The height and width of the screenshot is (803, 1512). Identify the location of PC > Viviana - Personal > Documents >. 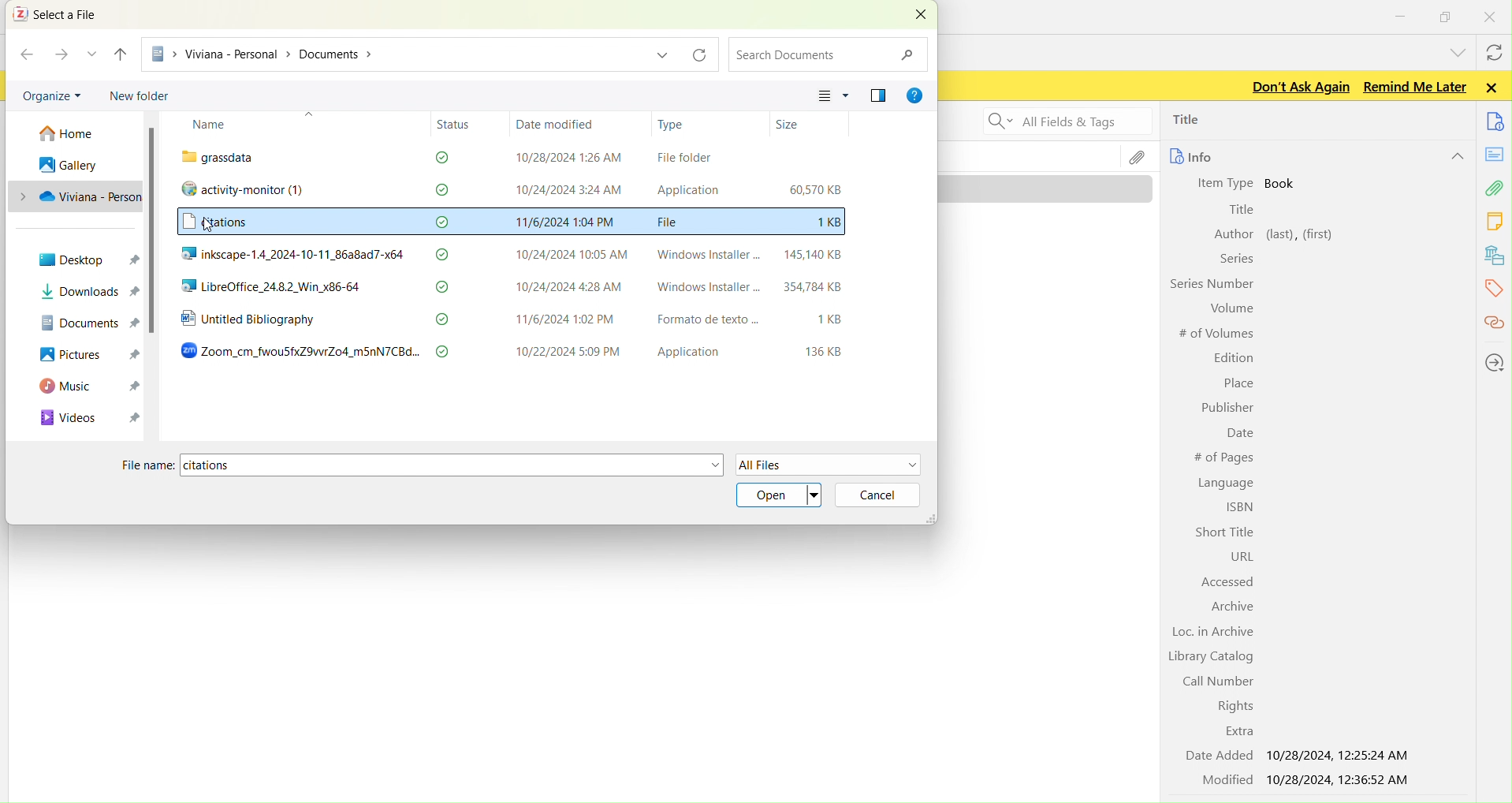
(277, 54).